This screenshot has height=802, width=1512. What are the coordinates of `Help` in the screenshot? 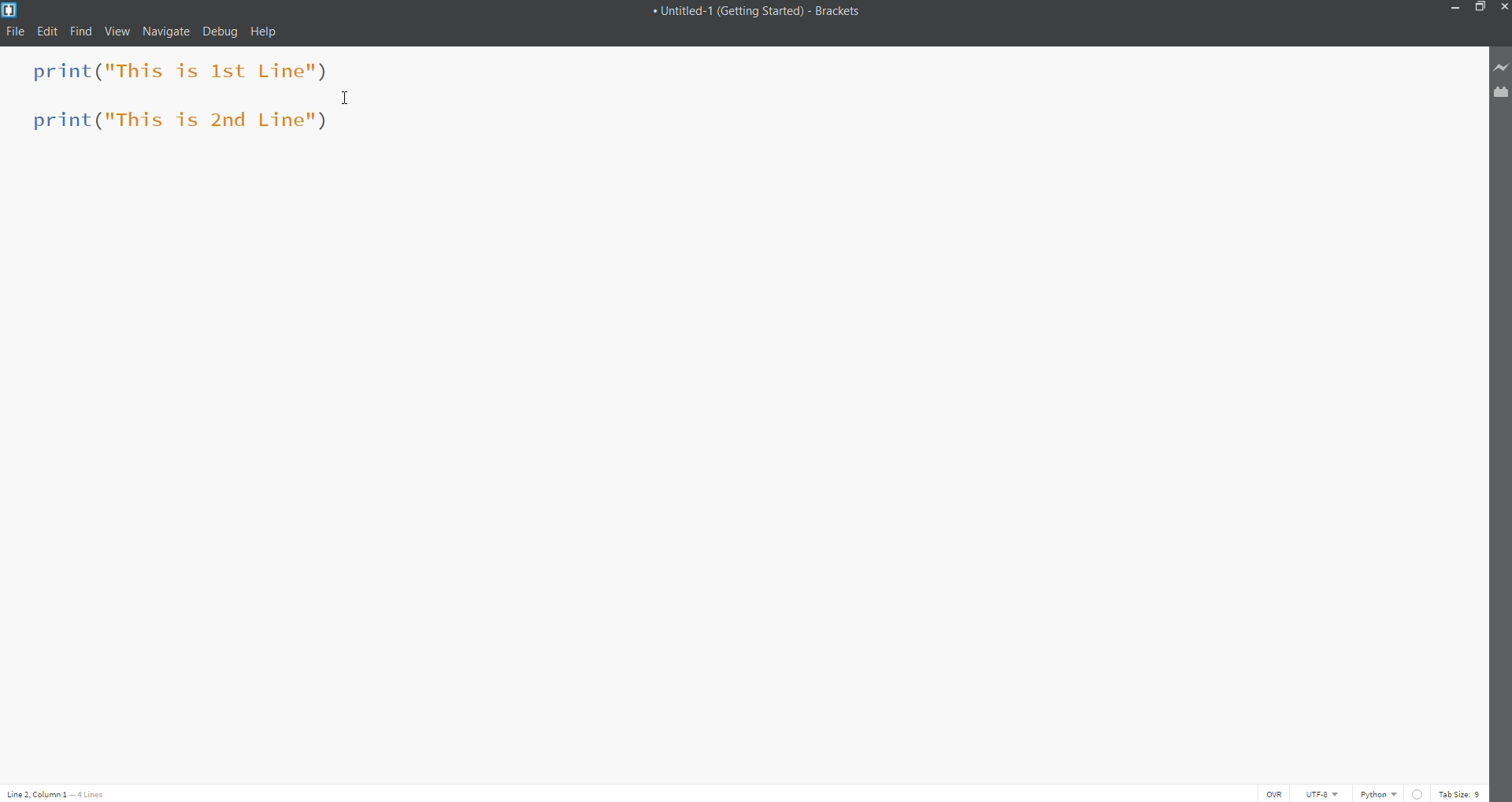 It's located at (267, 30).